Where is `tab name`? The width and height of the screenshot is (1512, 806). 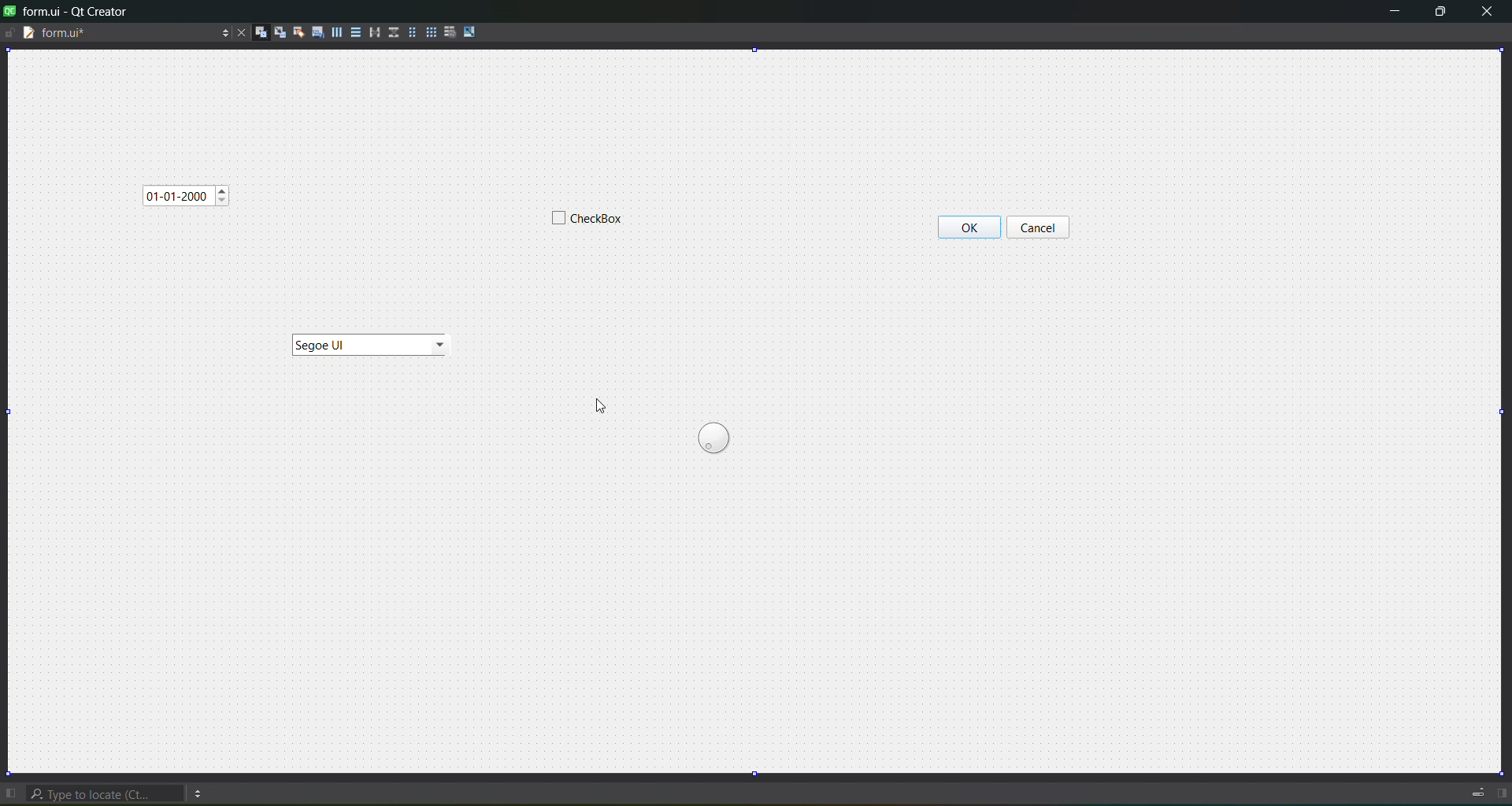 tab name is located at coordinates (72, 34).